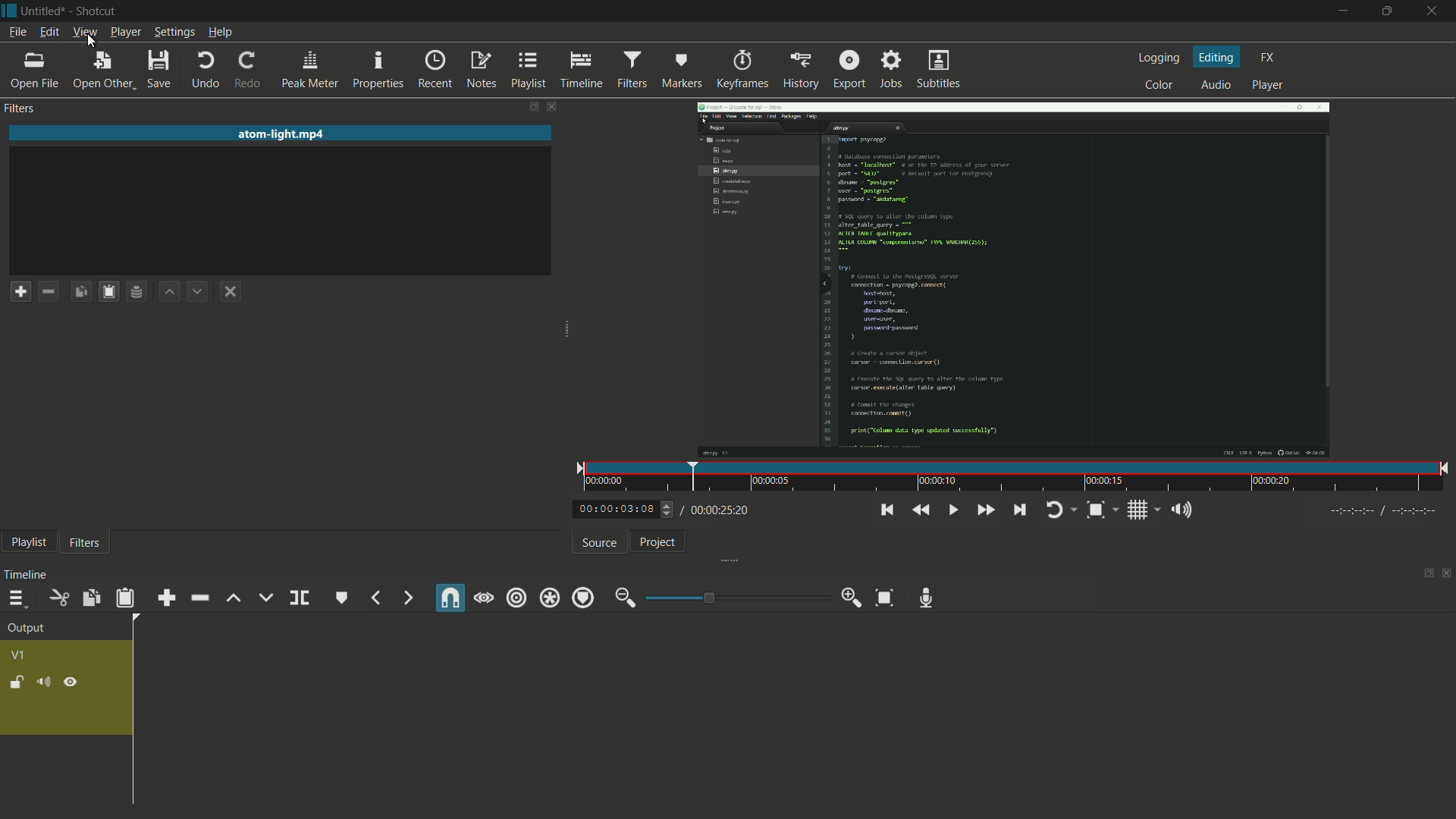  Describe the element at coordinates (554, 108) in the screenshot. I see `close filters pane` at that location.